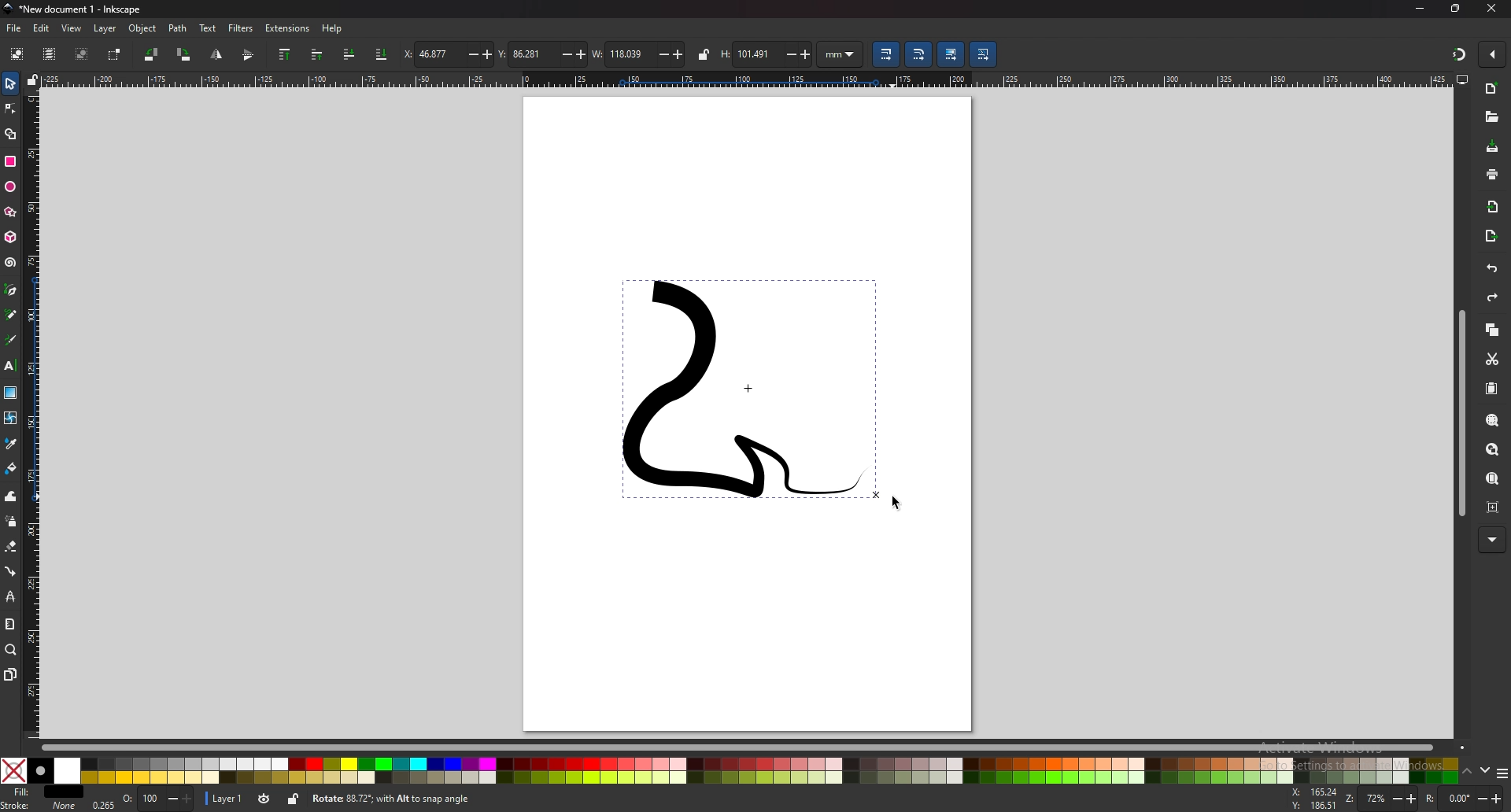  What do you see at coordinates (1492, 360) in the screenshot?
I see `cut` at bounding box center [1492, 360].